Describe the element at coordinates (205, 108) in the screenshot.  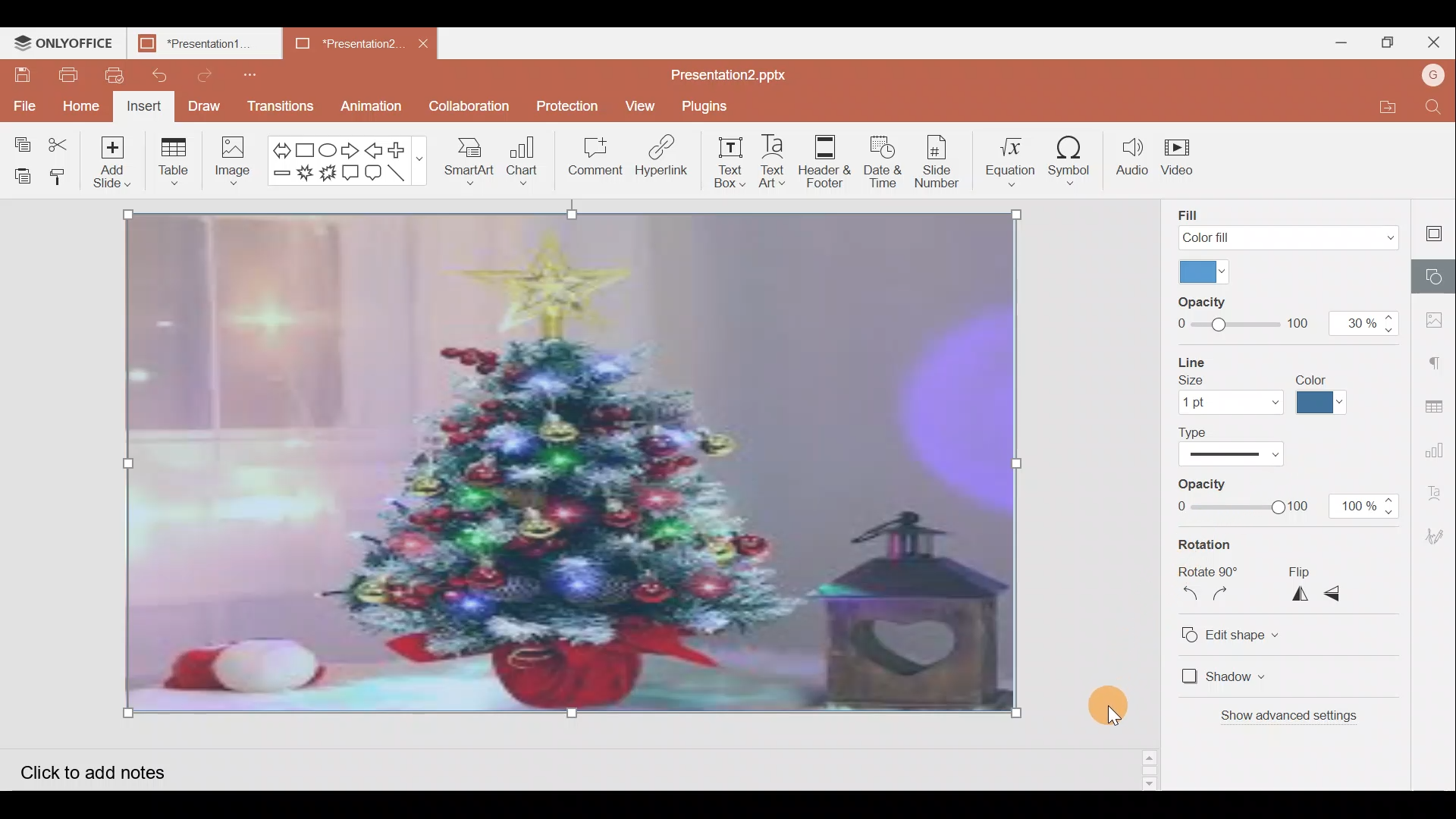
I see `Draw` at that location.